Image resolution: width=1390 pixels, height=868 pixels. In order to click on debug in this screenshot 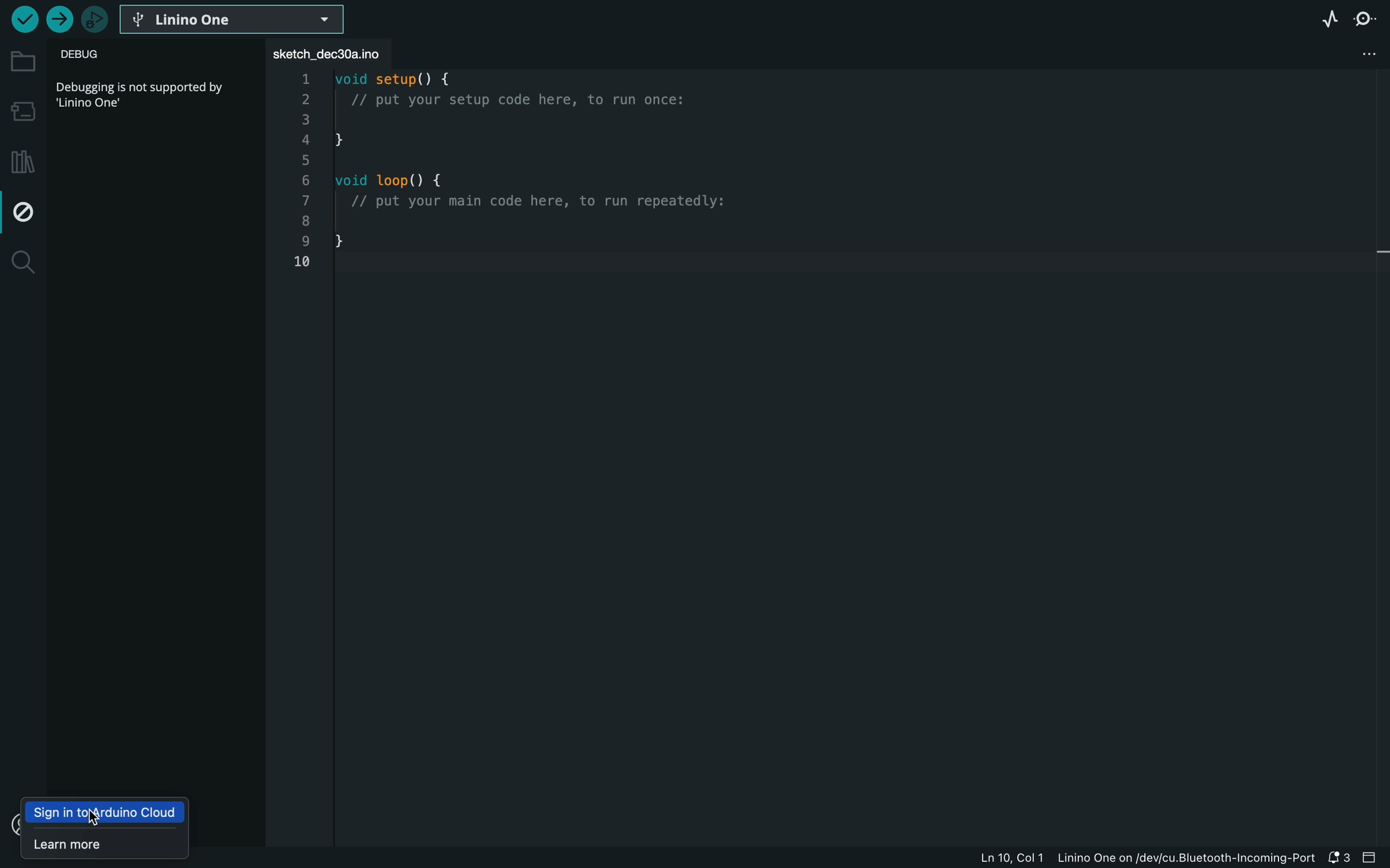, I will do `click(104, 56)`.